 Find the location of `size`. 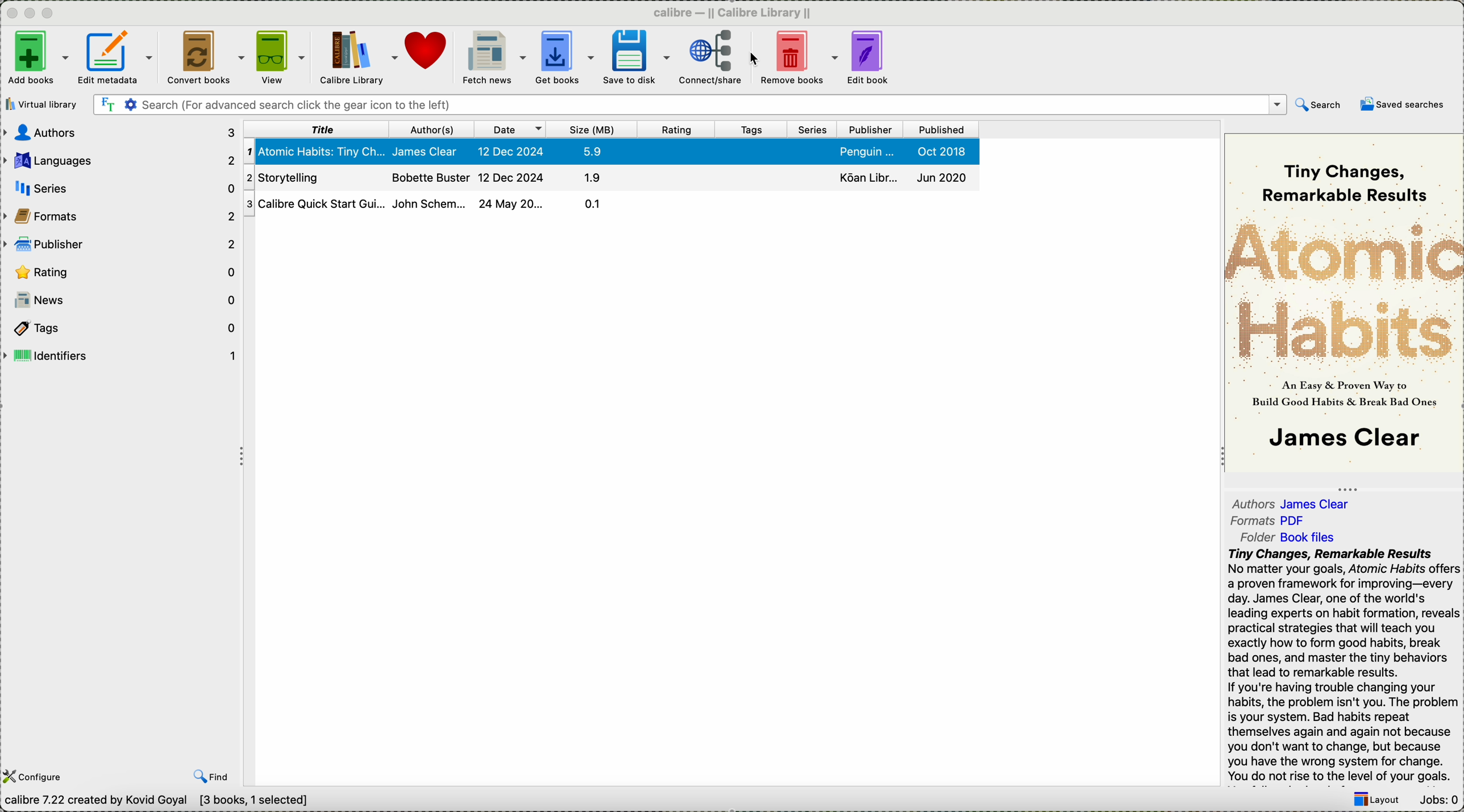

size is located at coordinates (593, 130).